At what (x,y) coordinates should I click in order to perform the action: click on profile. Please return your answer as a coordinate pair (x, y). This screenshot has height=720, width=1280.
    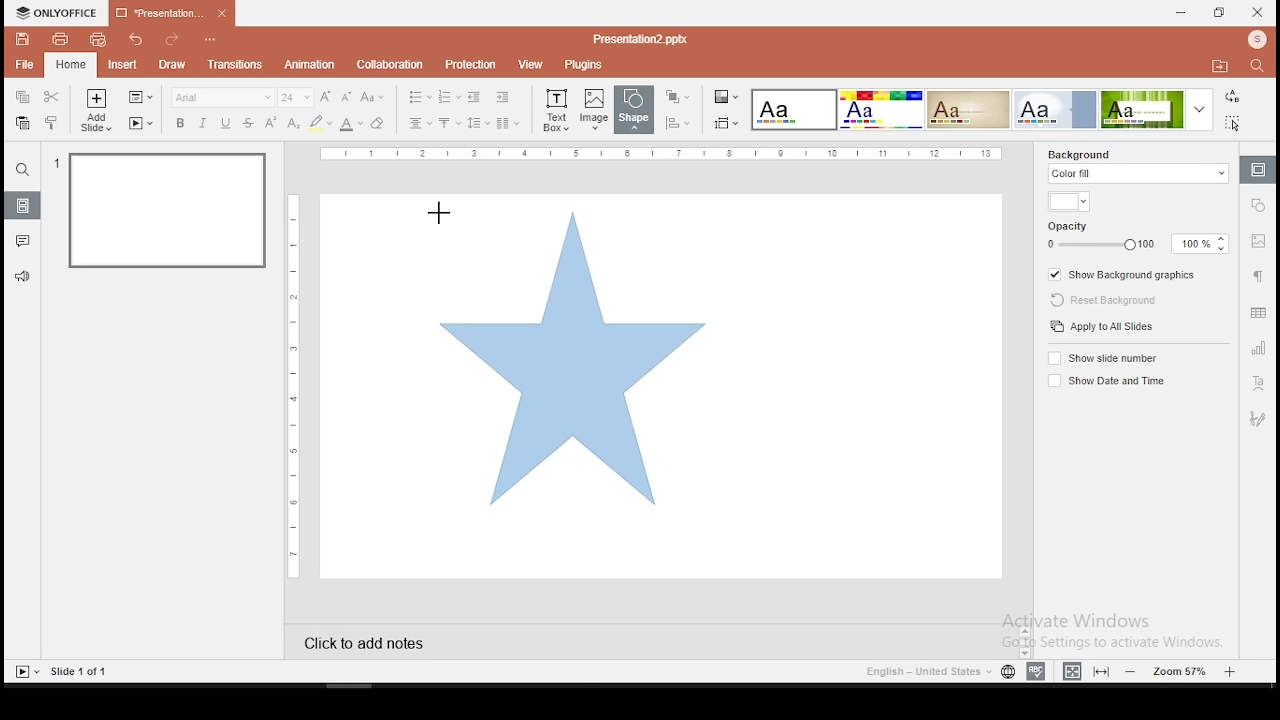
    Looking at the image, I should click on (1255, 41).